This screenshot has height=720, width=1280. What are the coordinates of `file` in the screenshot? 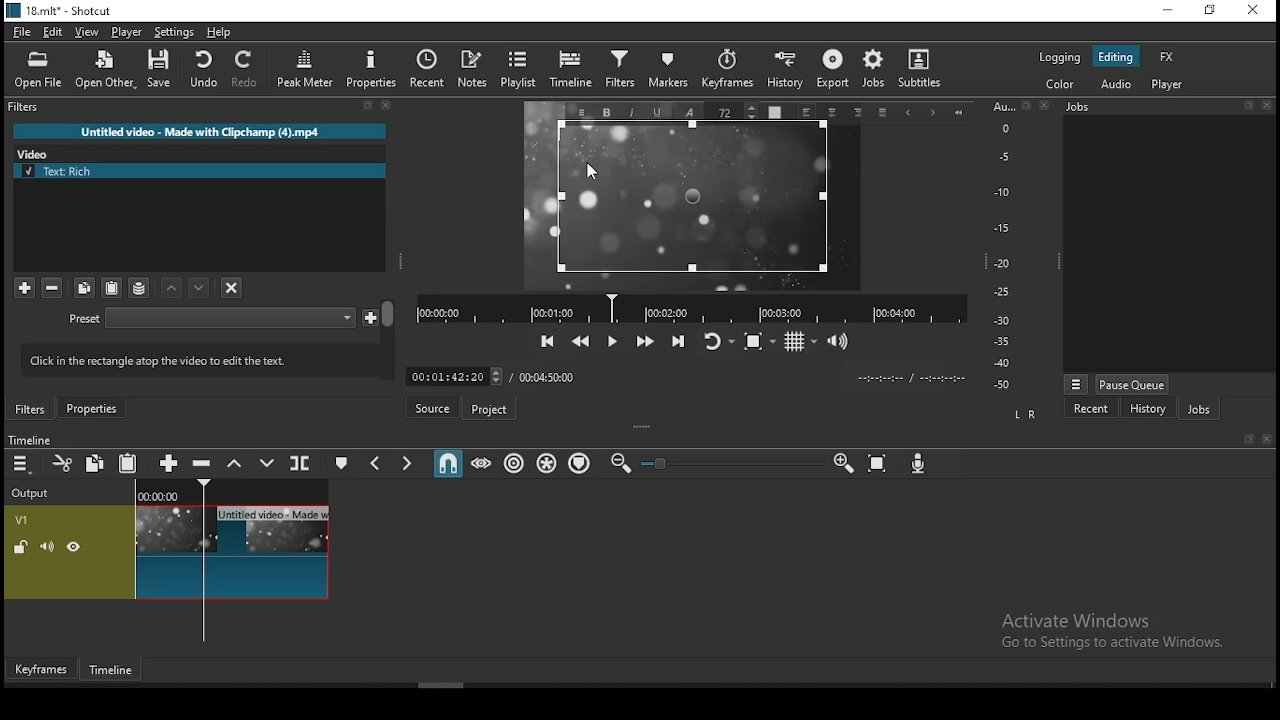 It's located at (22, 33).